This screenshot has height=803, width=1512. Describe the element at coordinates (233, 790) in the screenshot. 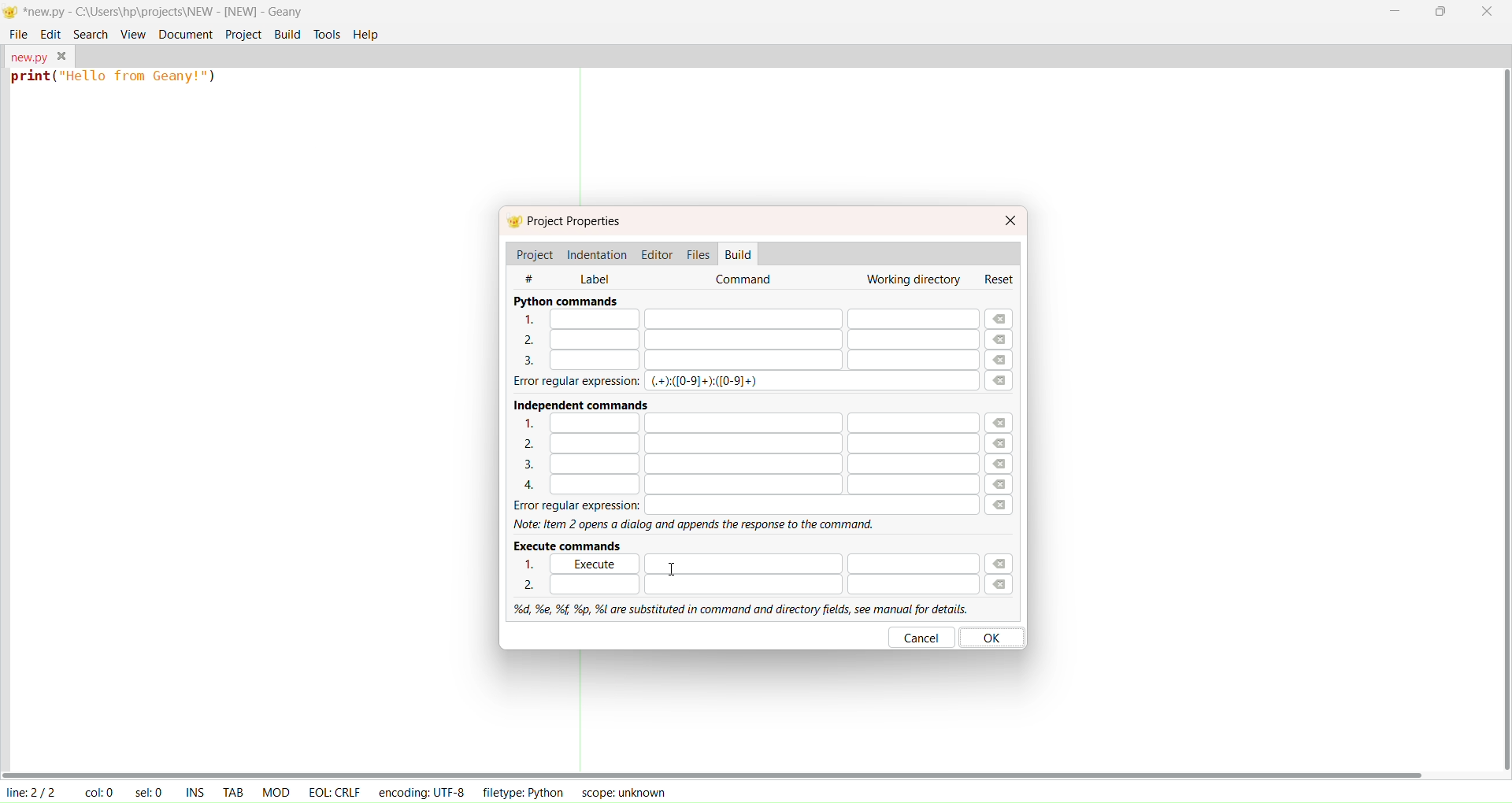

I see `TAB` at that location.